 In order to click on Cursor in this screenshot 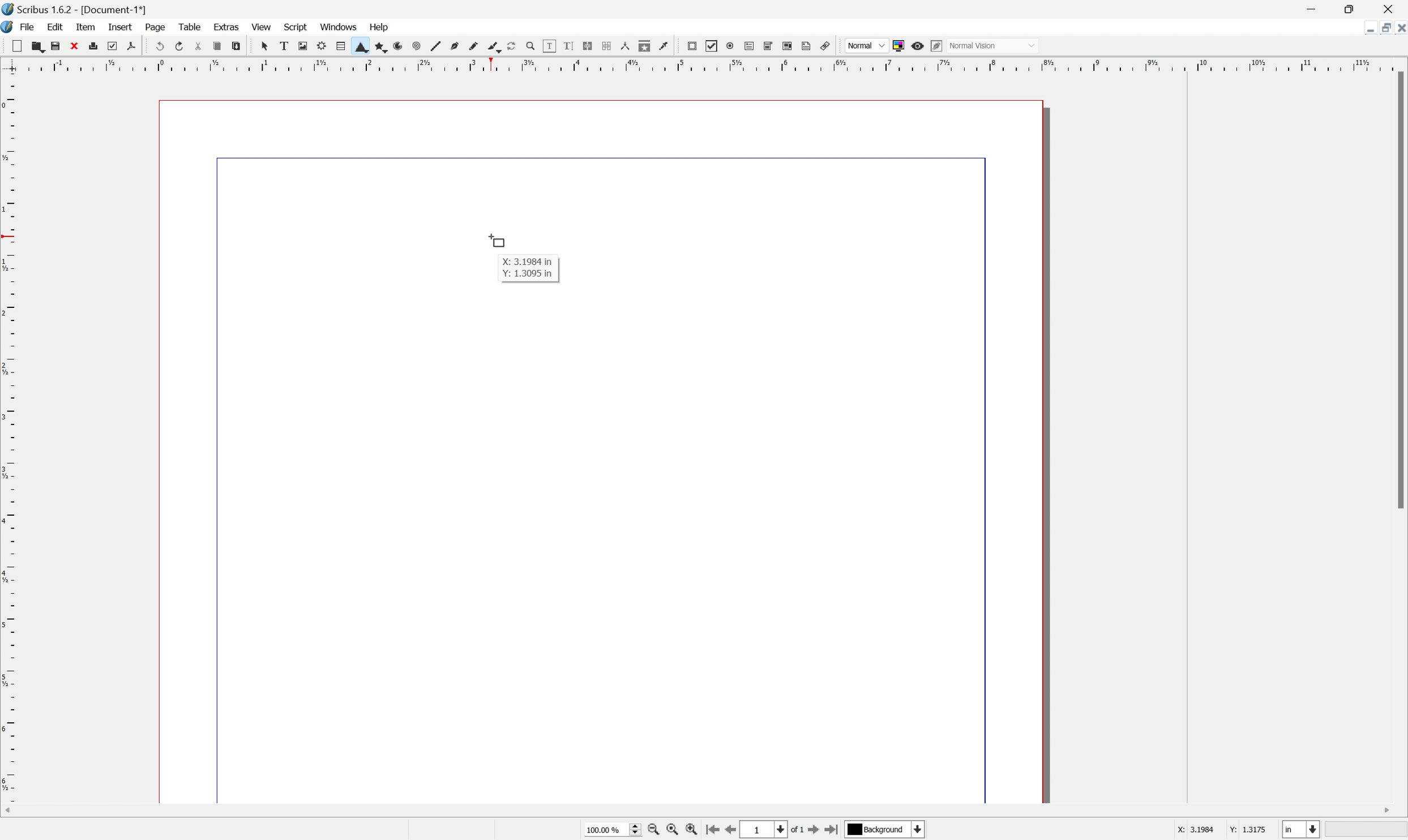, I will do `click(495, 241)`.